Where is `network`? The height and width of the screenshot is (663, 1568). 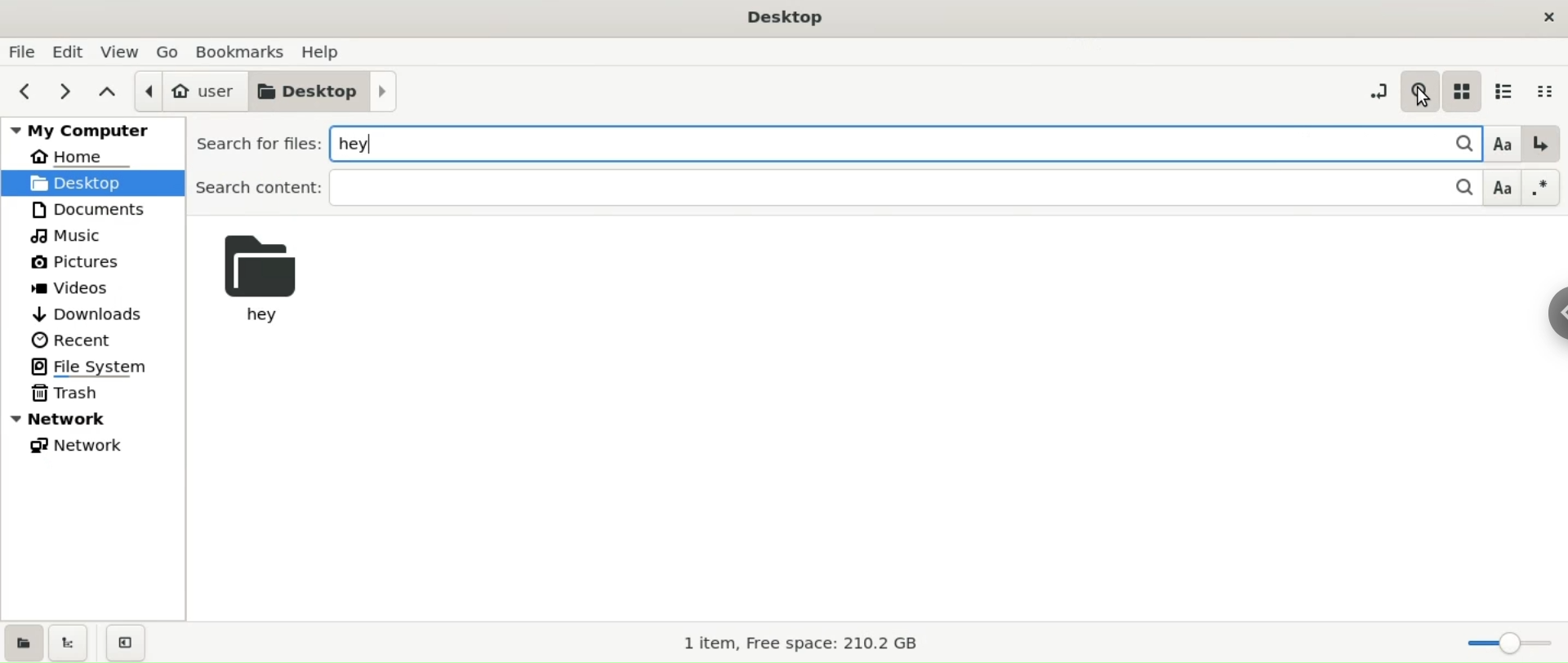
network is located at coordinates (93, 420).